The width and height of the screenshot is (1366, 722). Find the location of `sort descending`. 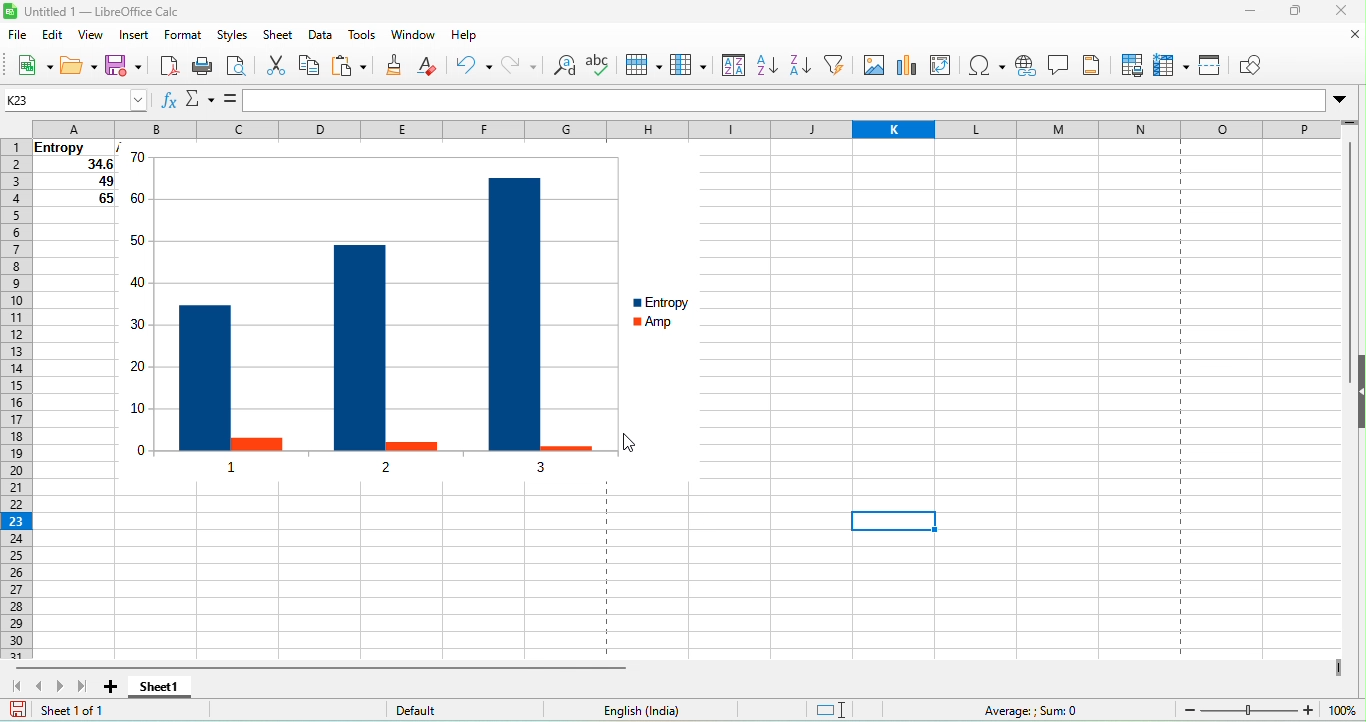

sort descending is located at coordinates (800, 64).